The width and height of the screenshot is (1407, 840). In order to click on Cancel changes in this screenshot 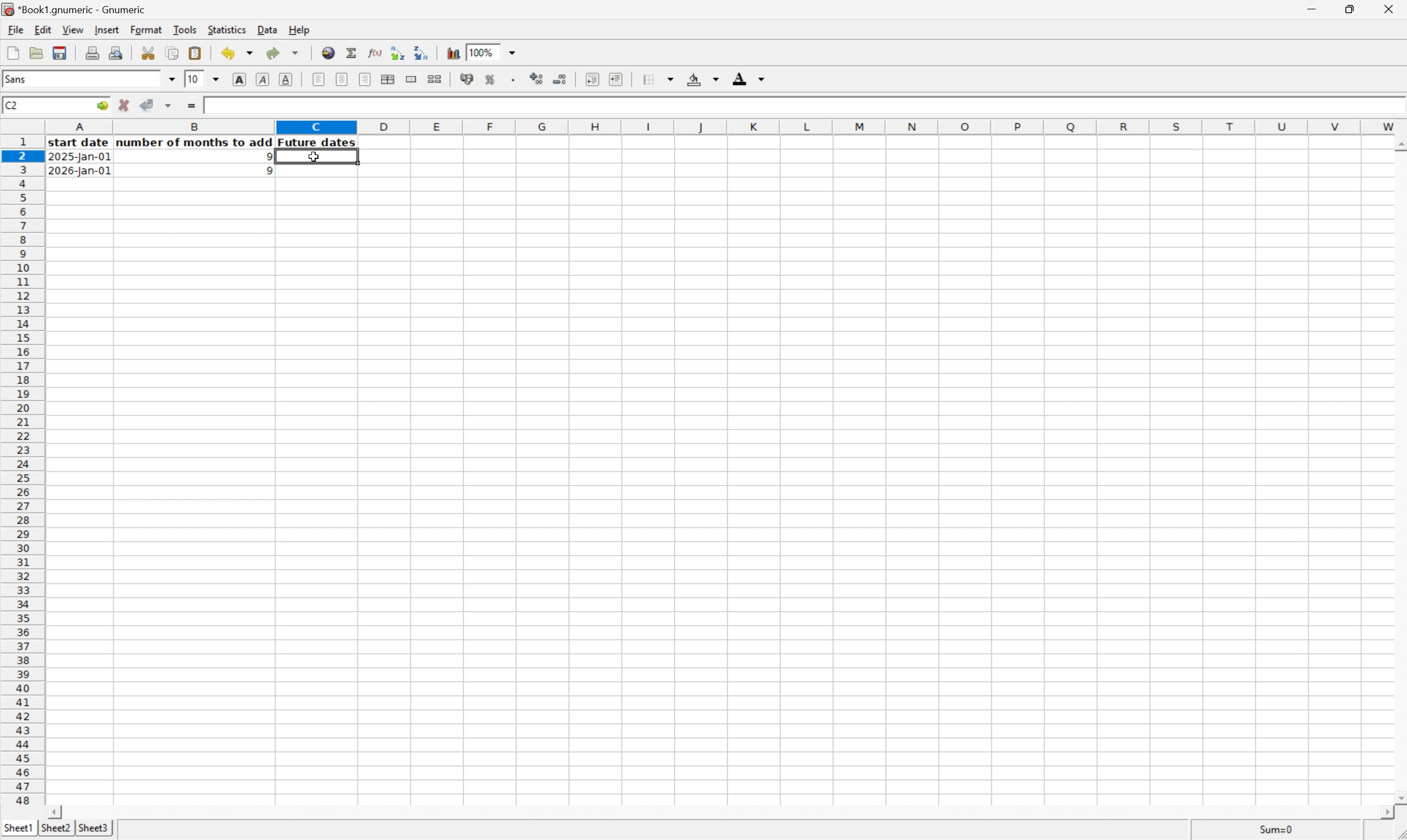, I will do `click(126, 105)`.